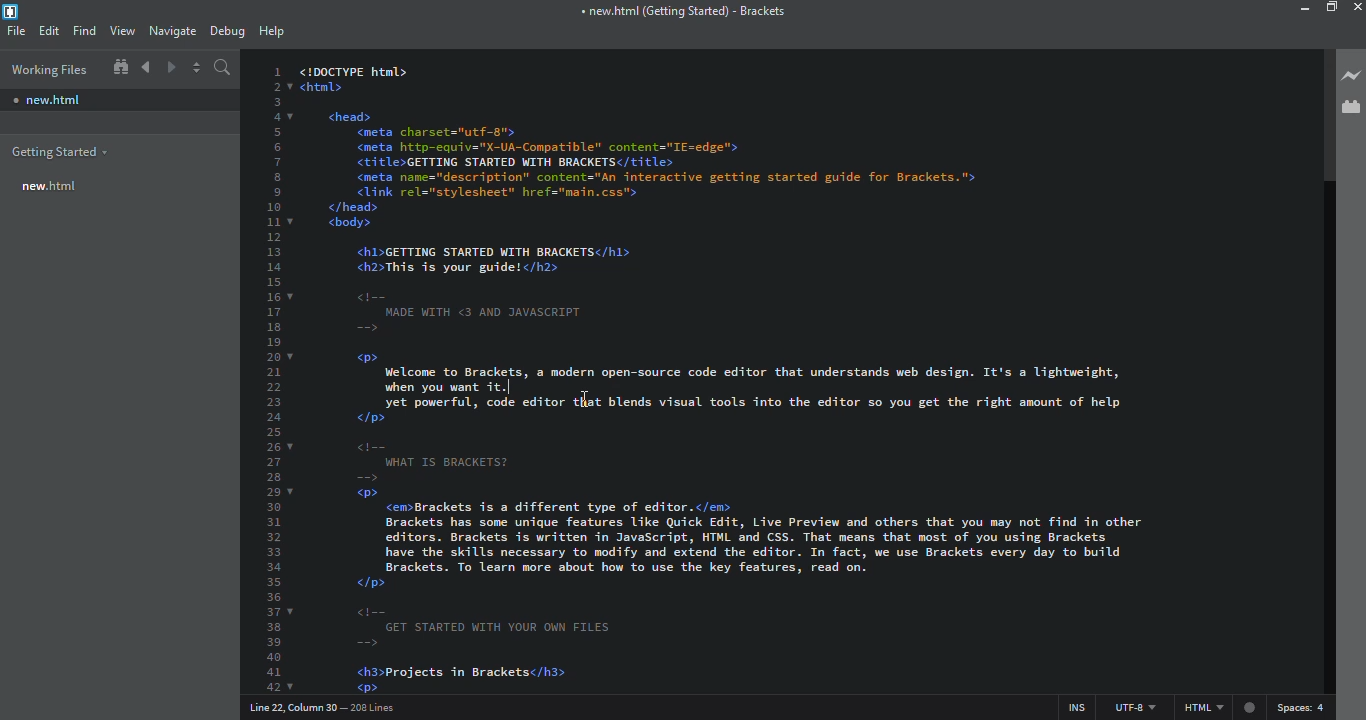 This screenshot has width=1366, height=720. What do you see at coordinates (1318, 115) in the screenshot?
I see `scroll bar` at bounding box center [1318, 115].